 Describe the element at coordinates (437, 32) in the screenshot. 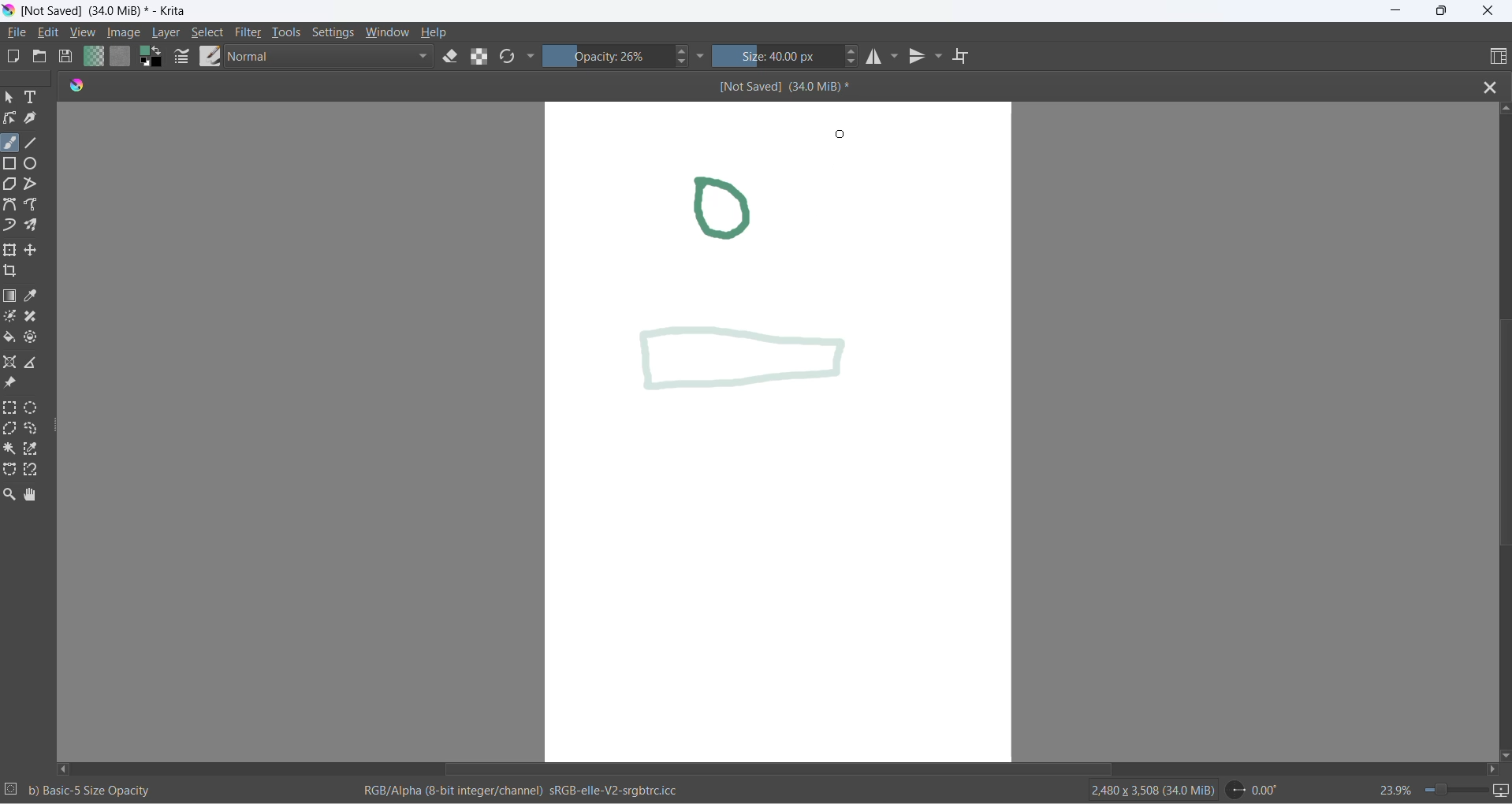

I see `help` at that location.